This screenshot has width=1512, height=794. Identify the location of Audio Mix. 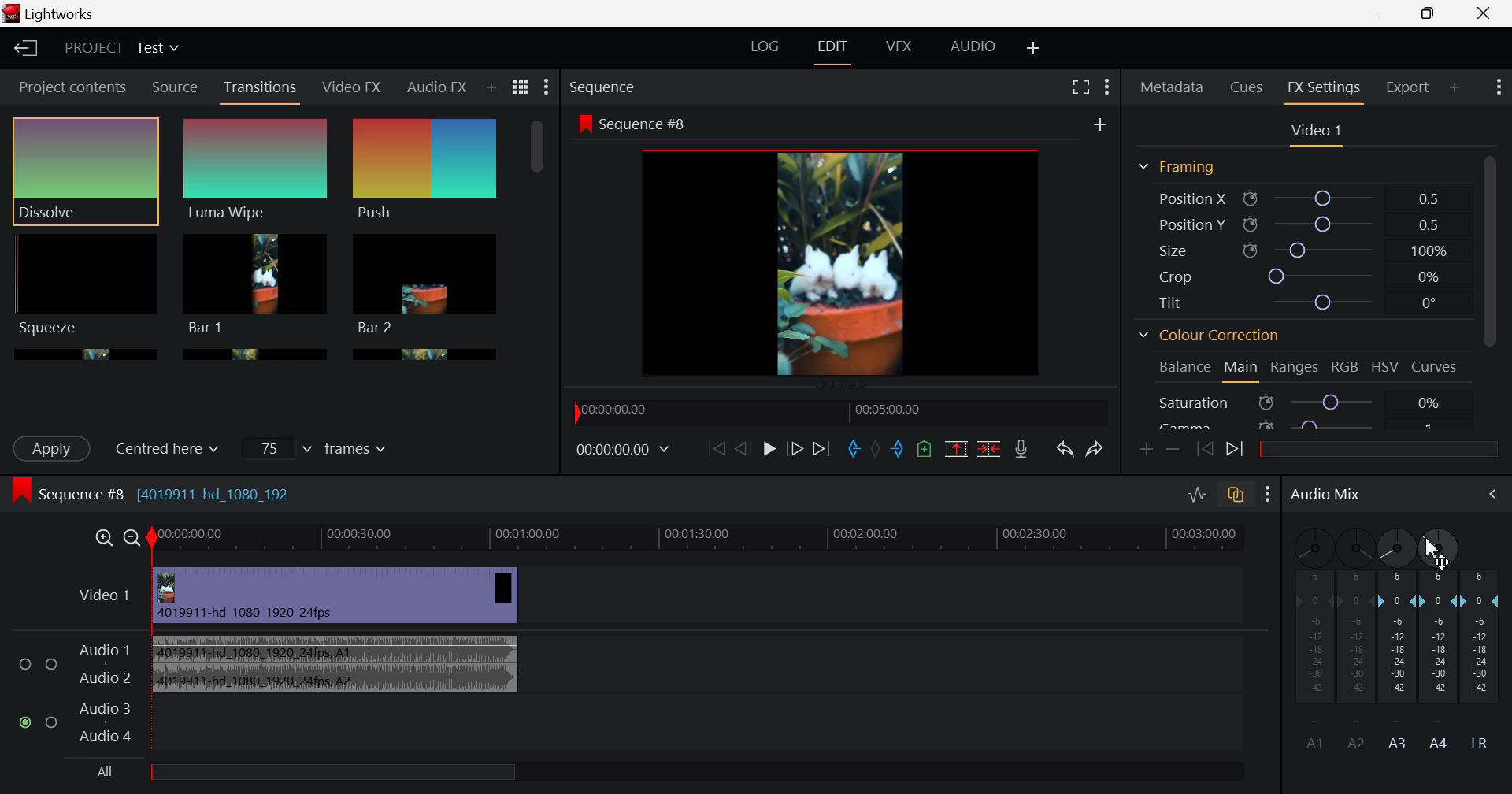
(1324, 497).